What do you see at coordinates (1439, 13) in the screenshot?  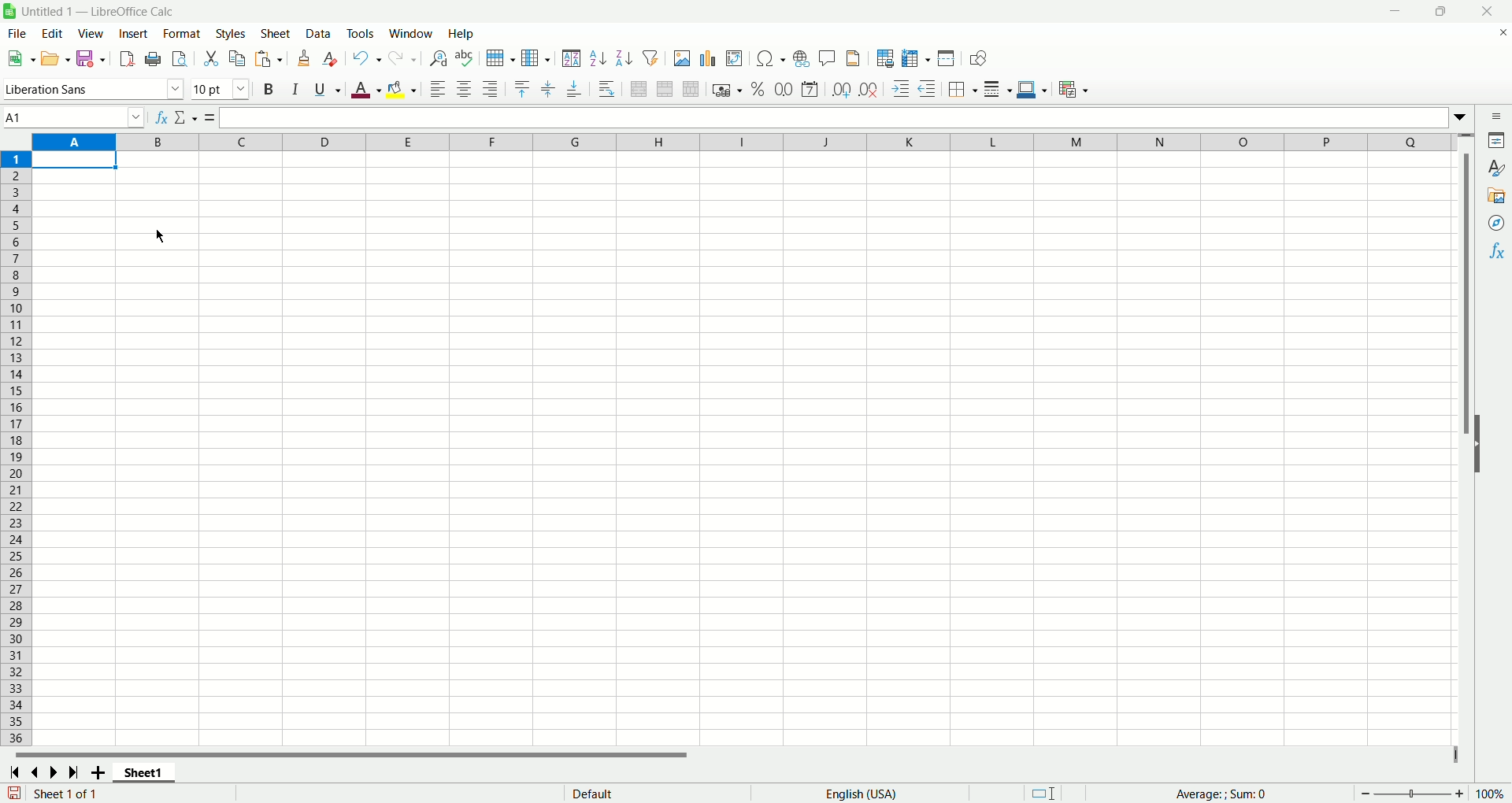 I see `maximize` at bounding box center [1439, 13].